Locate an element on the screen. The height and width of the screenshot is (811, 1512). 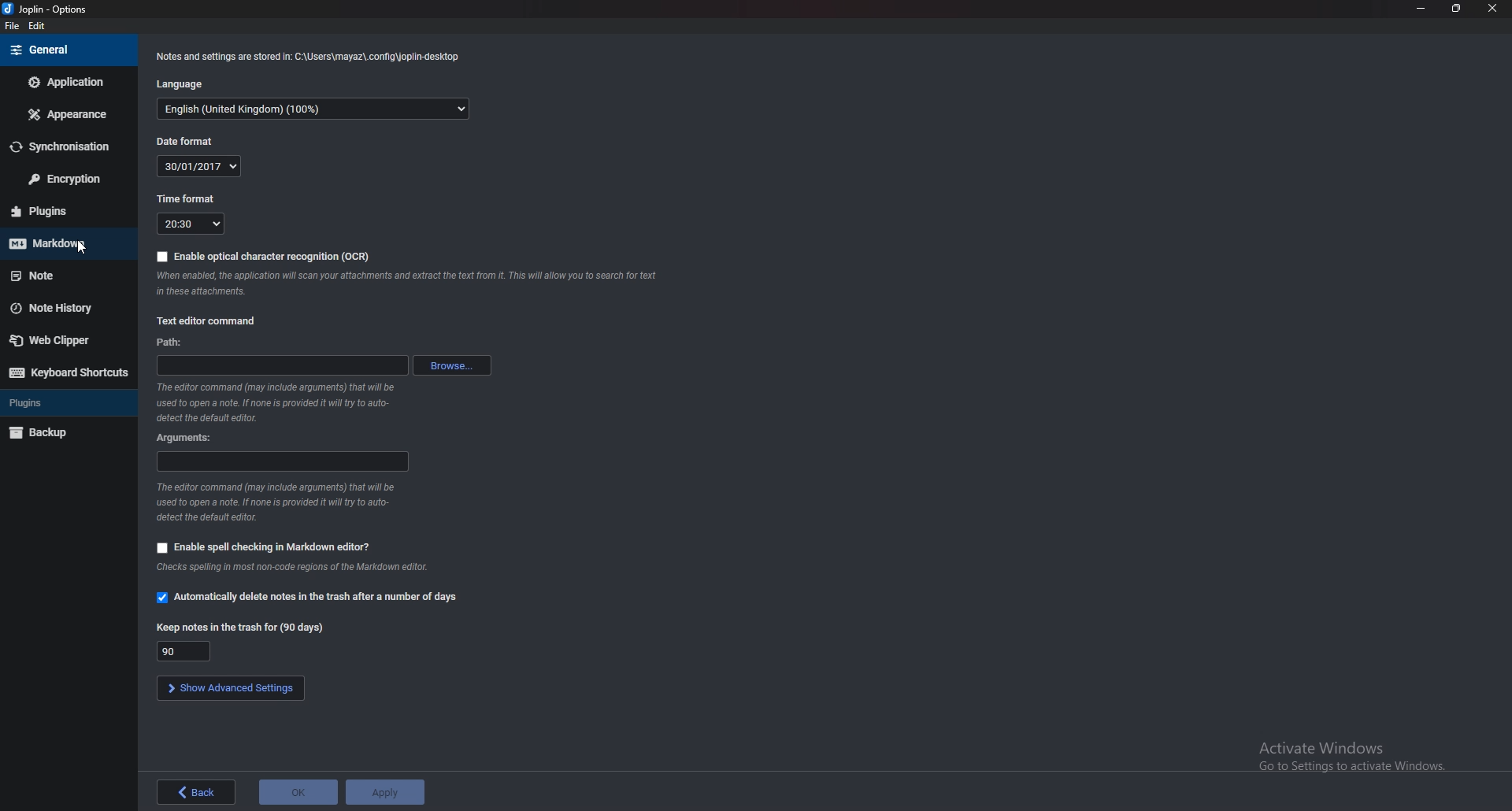
close is located at coordinates (1492, 8).